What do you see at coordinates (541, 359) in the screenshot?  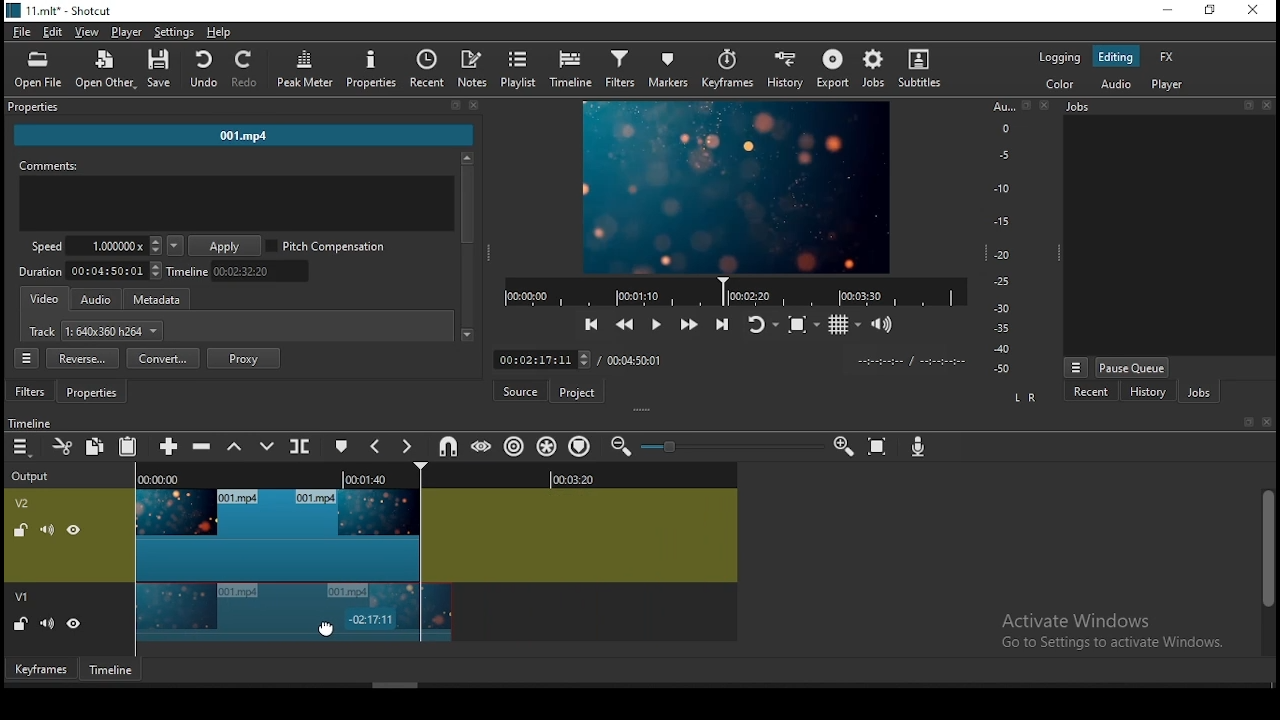 I see `CURRENT INPUT TIME` at bounding box center [541, 359].